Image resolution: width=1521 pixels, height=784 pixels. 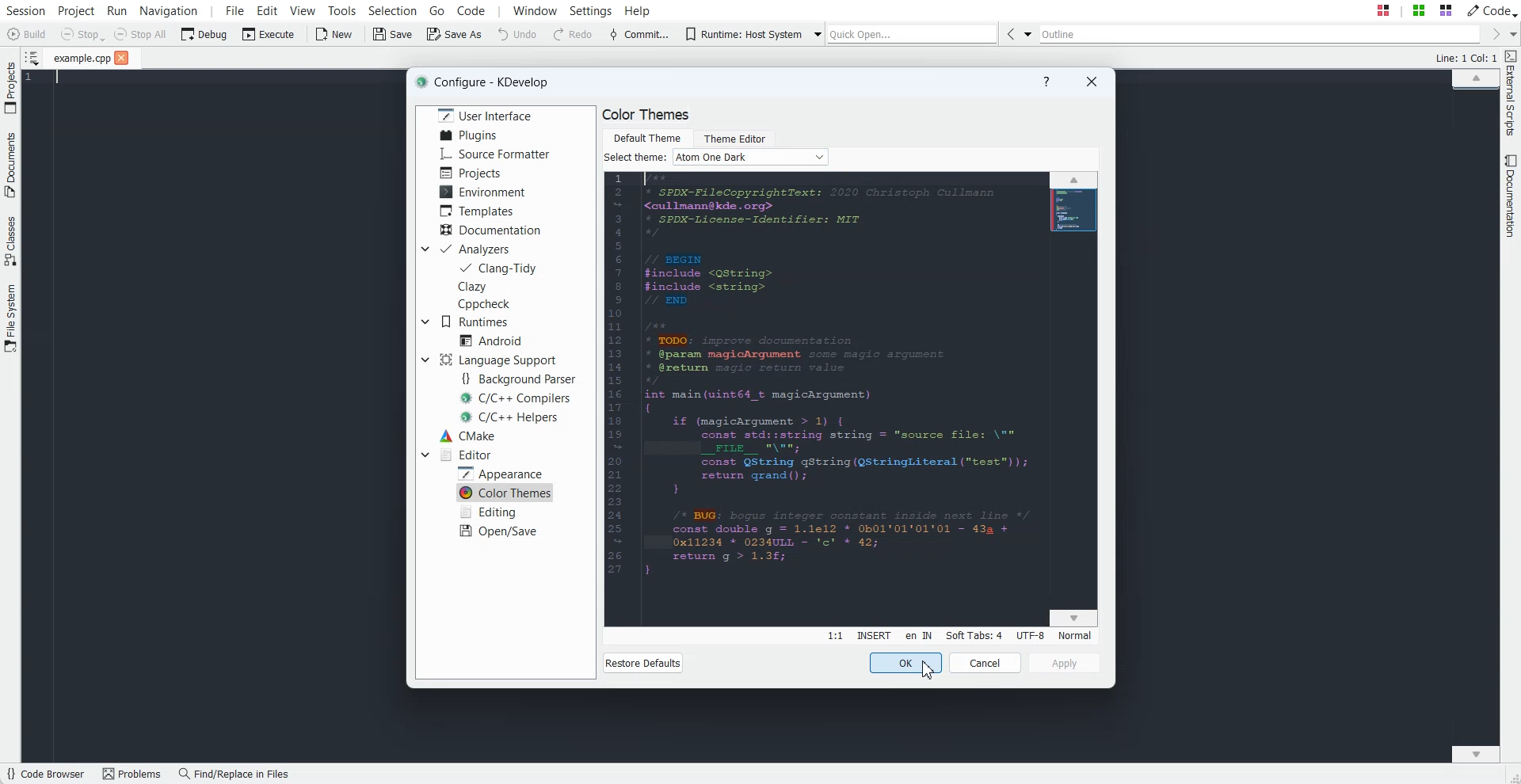 What do you see at coordinates (424, 249) in the screenshot?
I see `Drop down box` at bounding box center [424, 249].